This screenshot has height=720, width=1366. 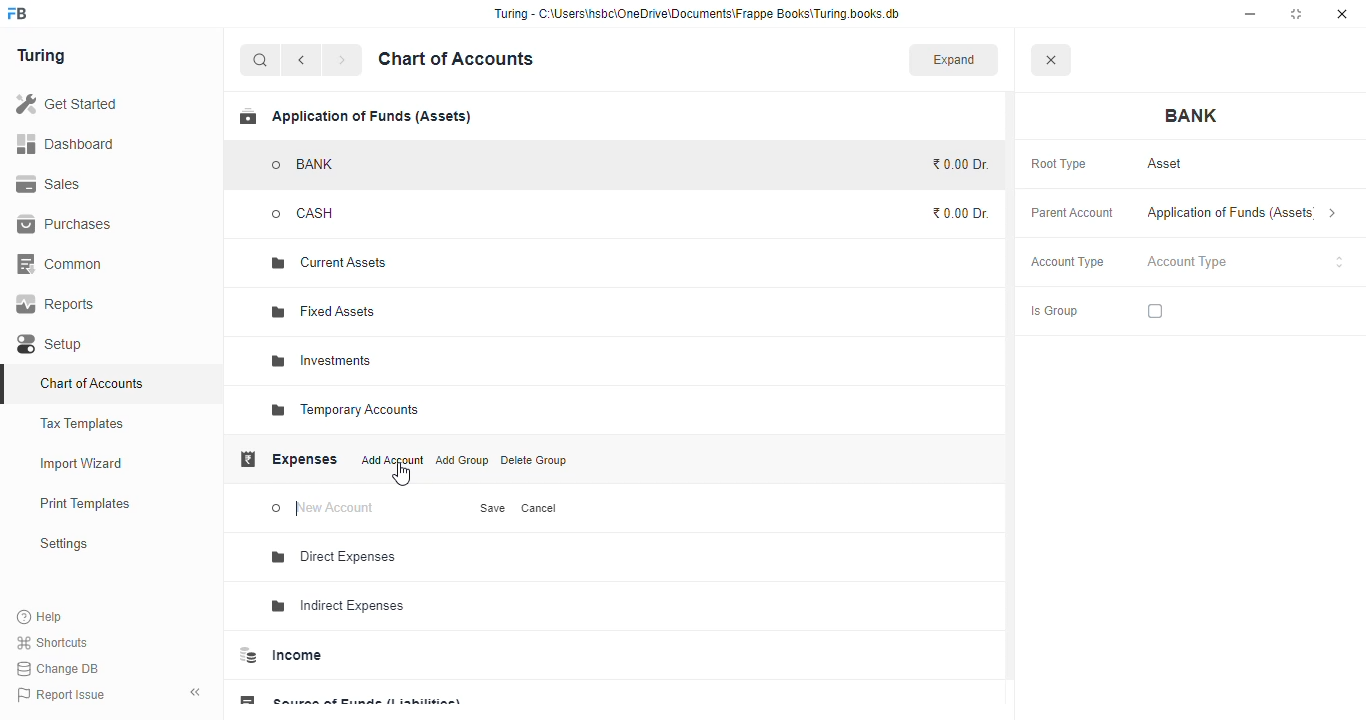 I want to click on is group, so click(x=1054, y=312).